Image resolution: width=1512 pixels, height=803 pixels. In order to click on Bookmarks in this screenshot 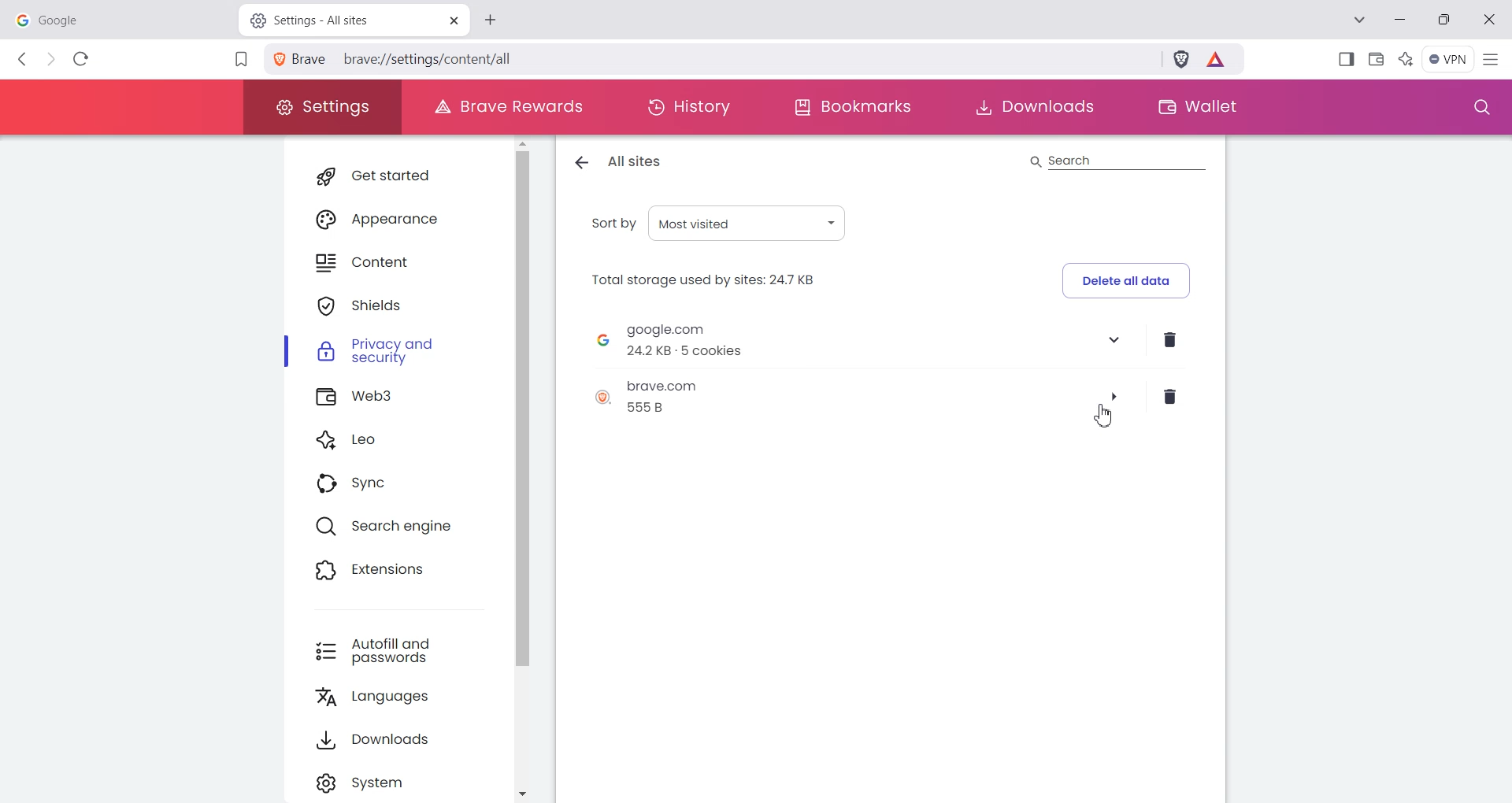, I will do `click(852, 108)`.